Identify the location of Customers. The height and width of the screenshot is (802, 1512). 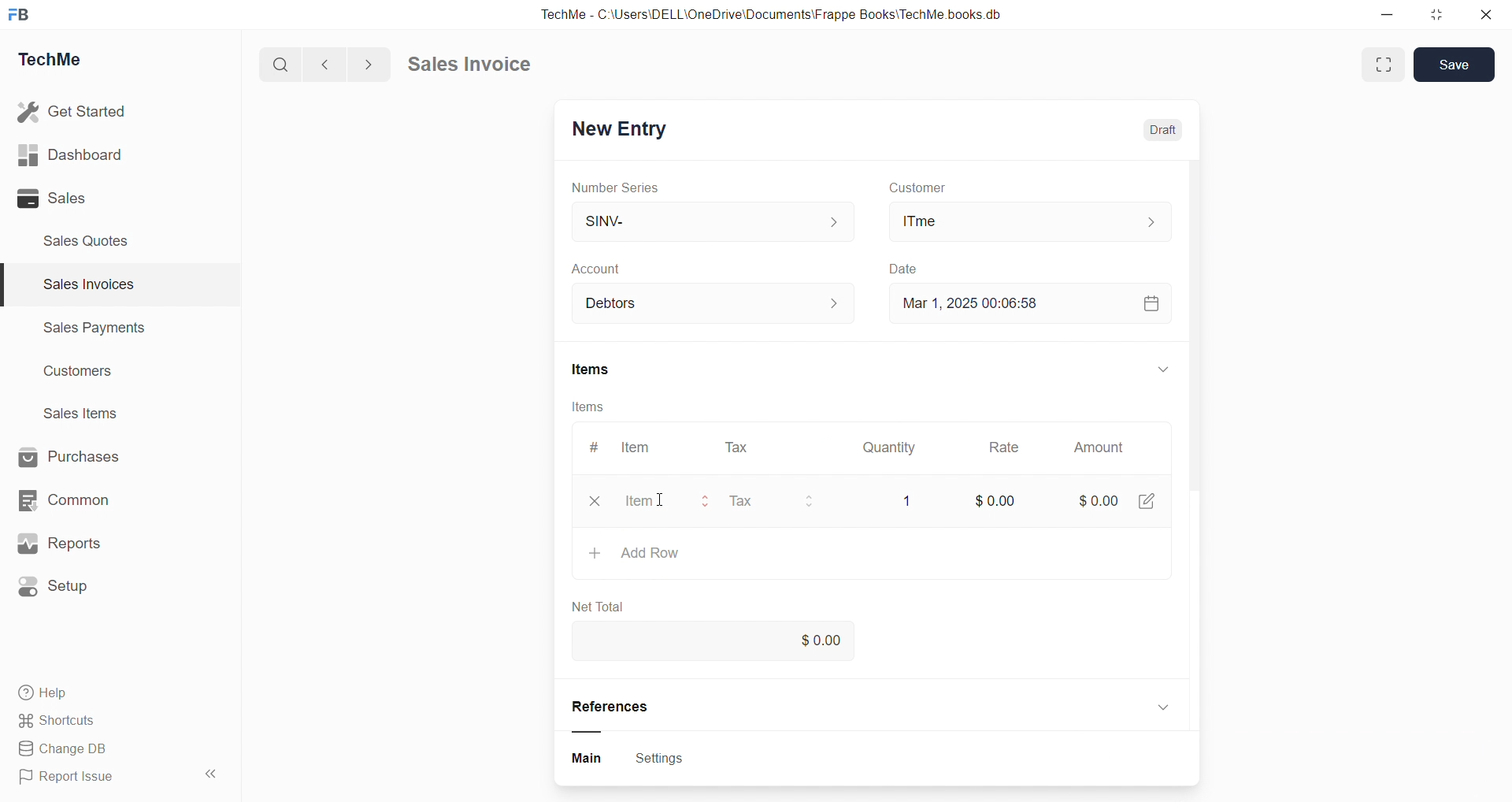
(87, 375).